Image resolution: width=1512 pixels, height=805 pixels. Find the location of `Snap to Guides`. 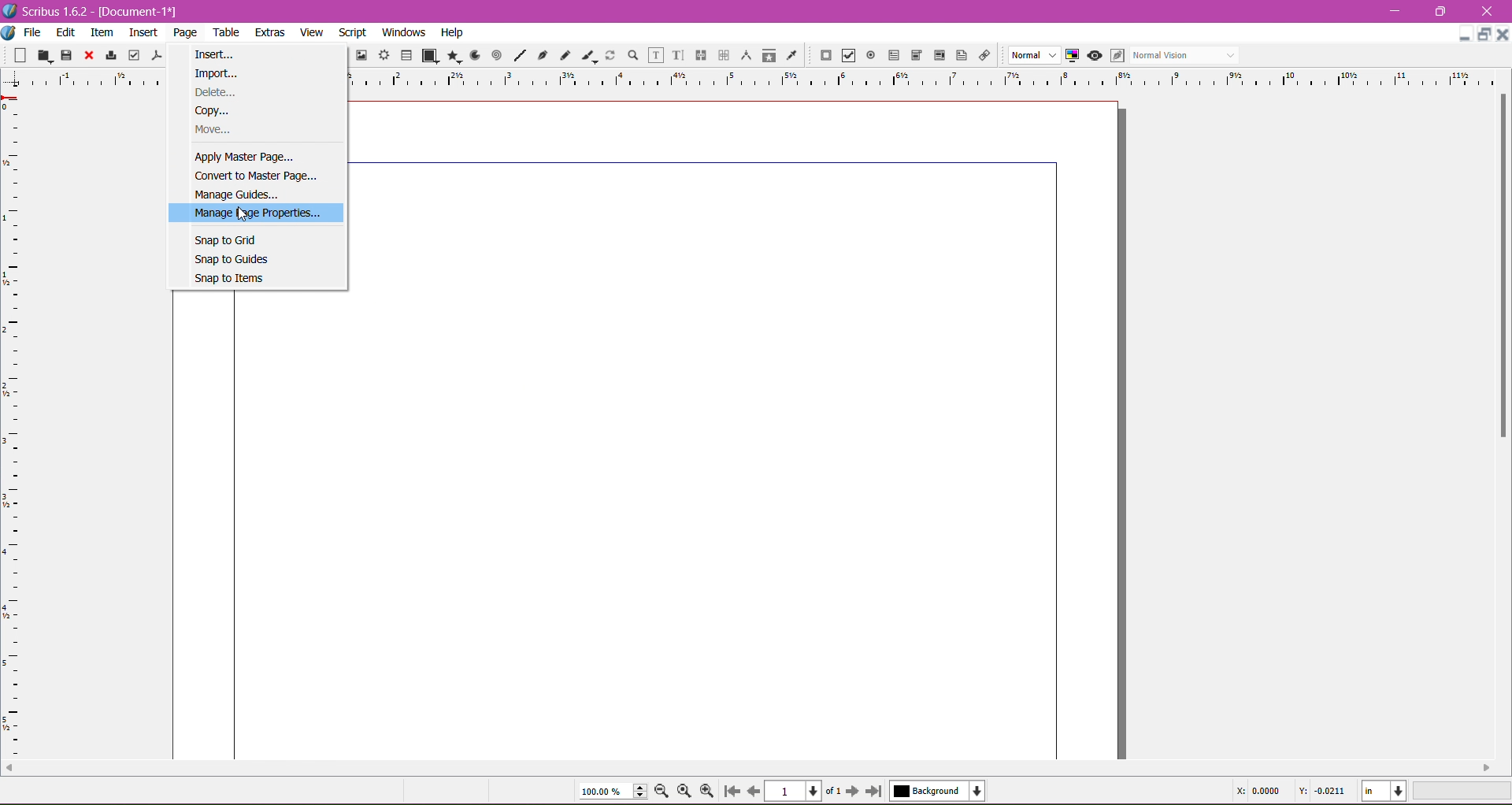

Snap to Guides is located at coordinates (233, 259).